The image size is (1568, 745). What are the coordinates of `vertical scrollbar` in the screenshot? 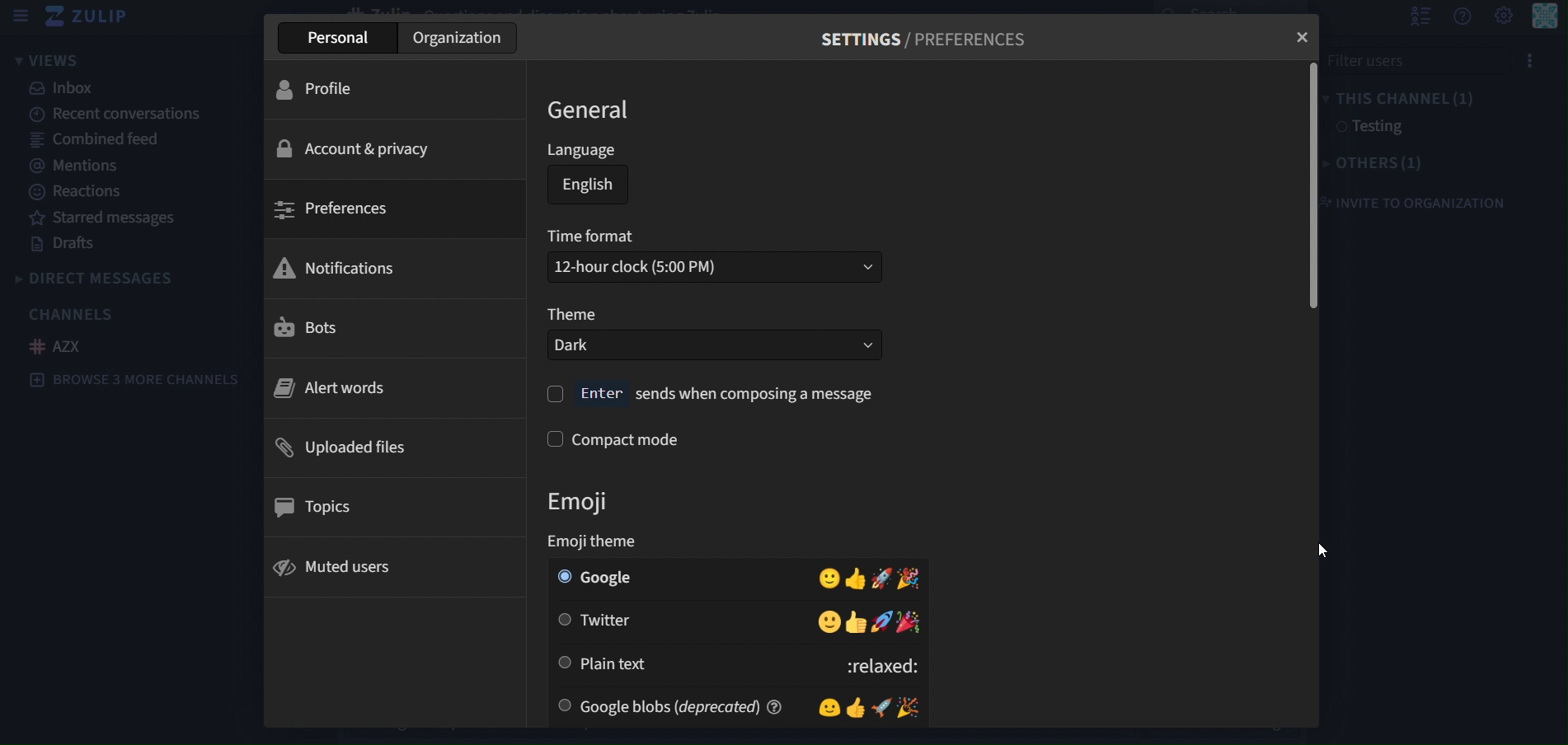 It's located at (1308, 185).